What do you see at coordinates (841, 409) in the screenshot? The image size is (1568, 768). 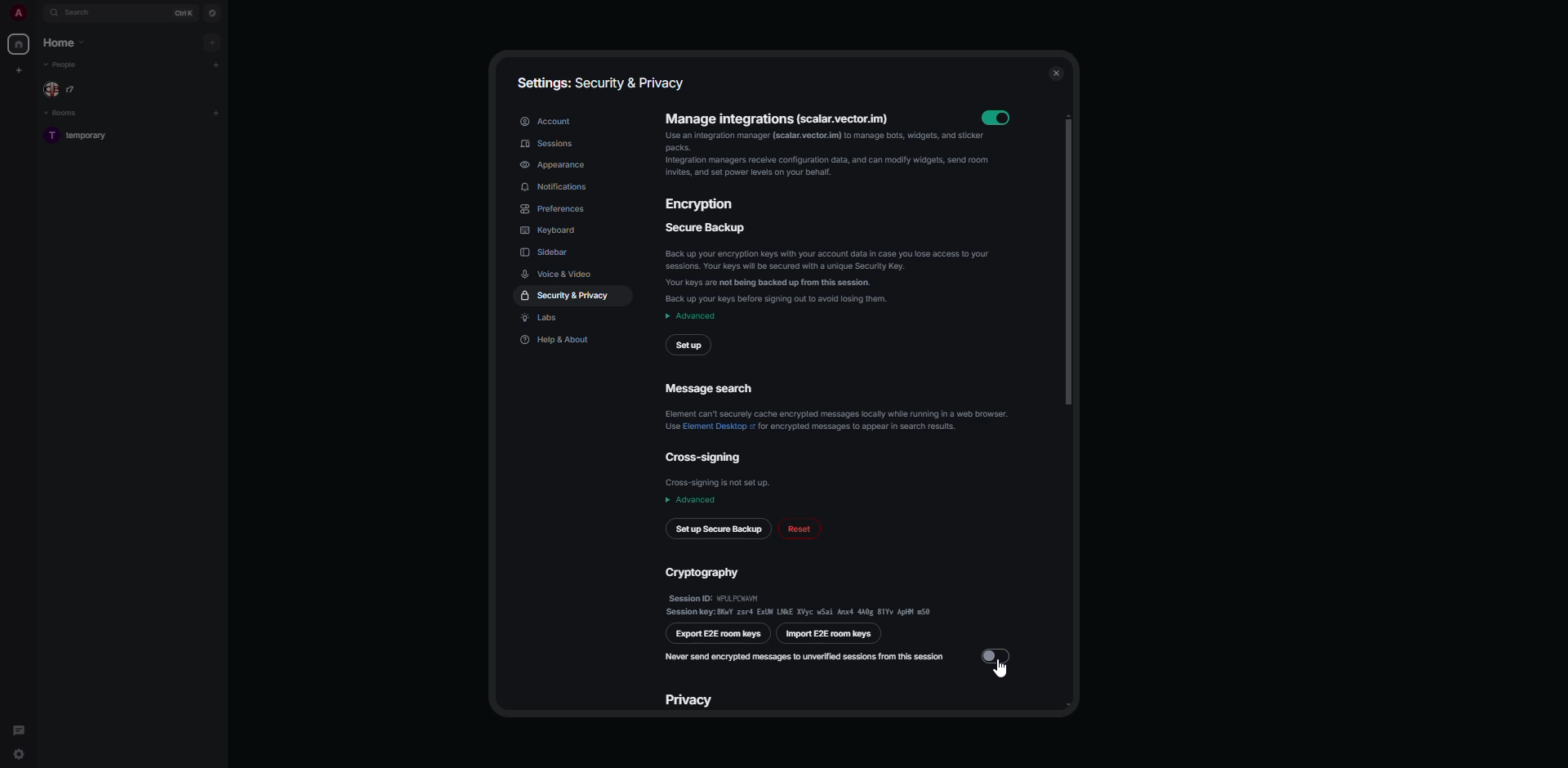 I see `message search` at bounding box center [841, 409].